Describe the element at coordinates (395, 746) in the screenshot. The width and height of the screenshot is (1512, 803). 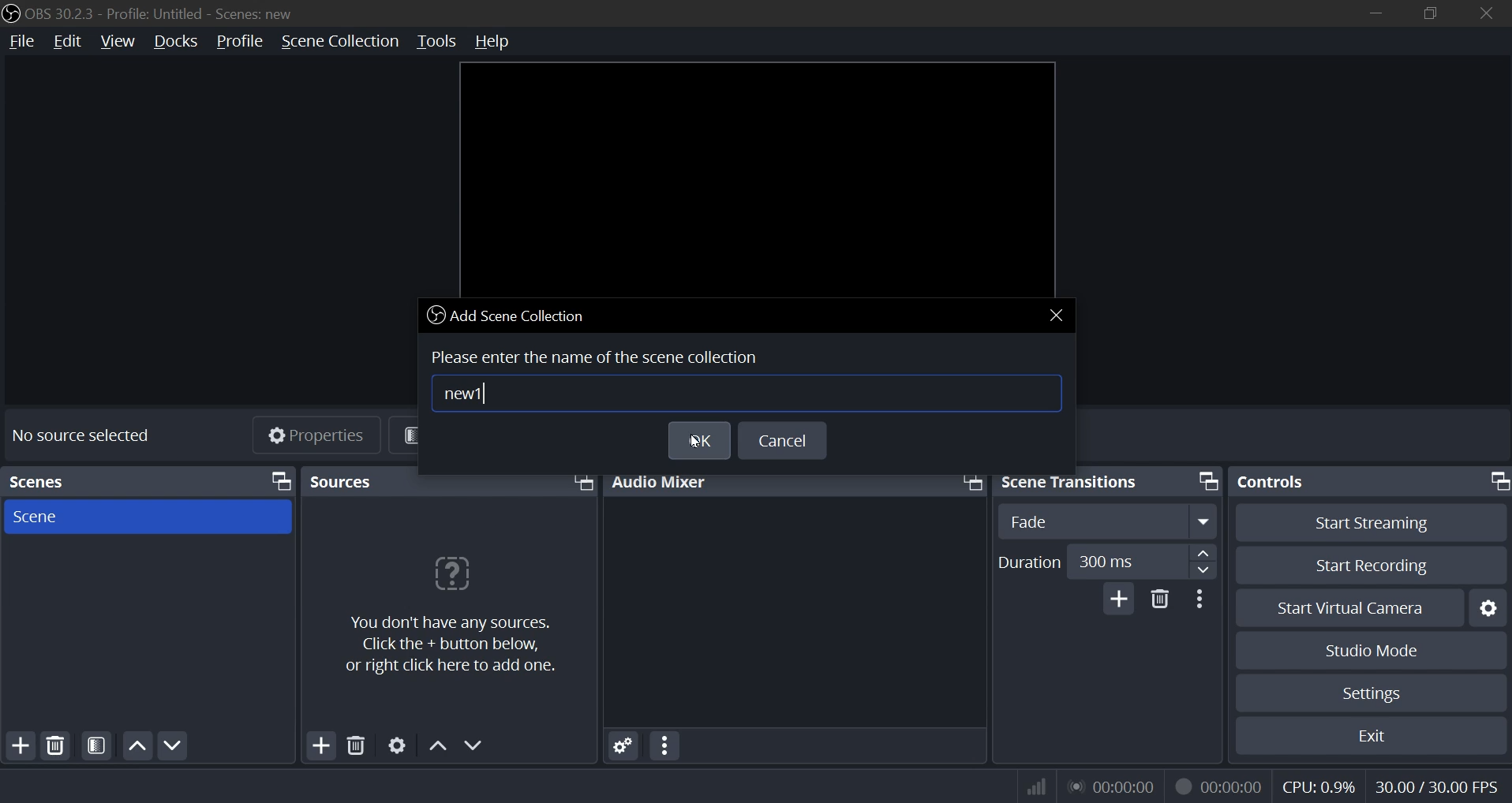
I see `settings` at that location.